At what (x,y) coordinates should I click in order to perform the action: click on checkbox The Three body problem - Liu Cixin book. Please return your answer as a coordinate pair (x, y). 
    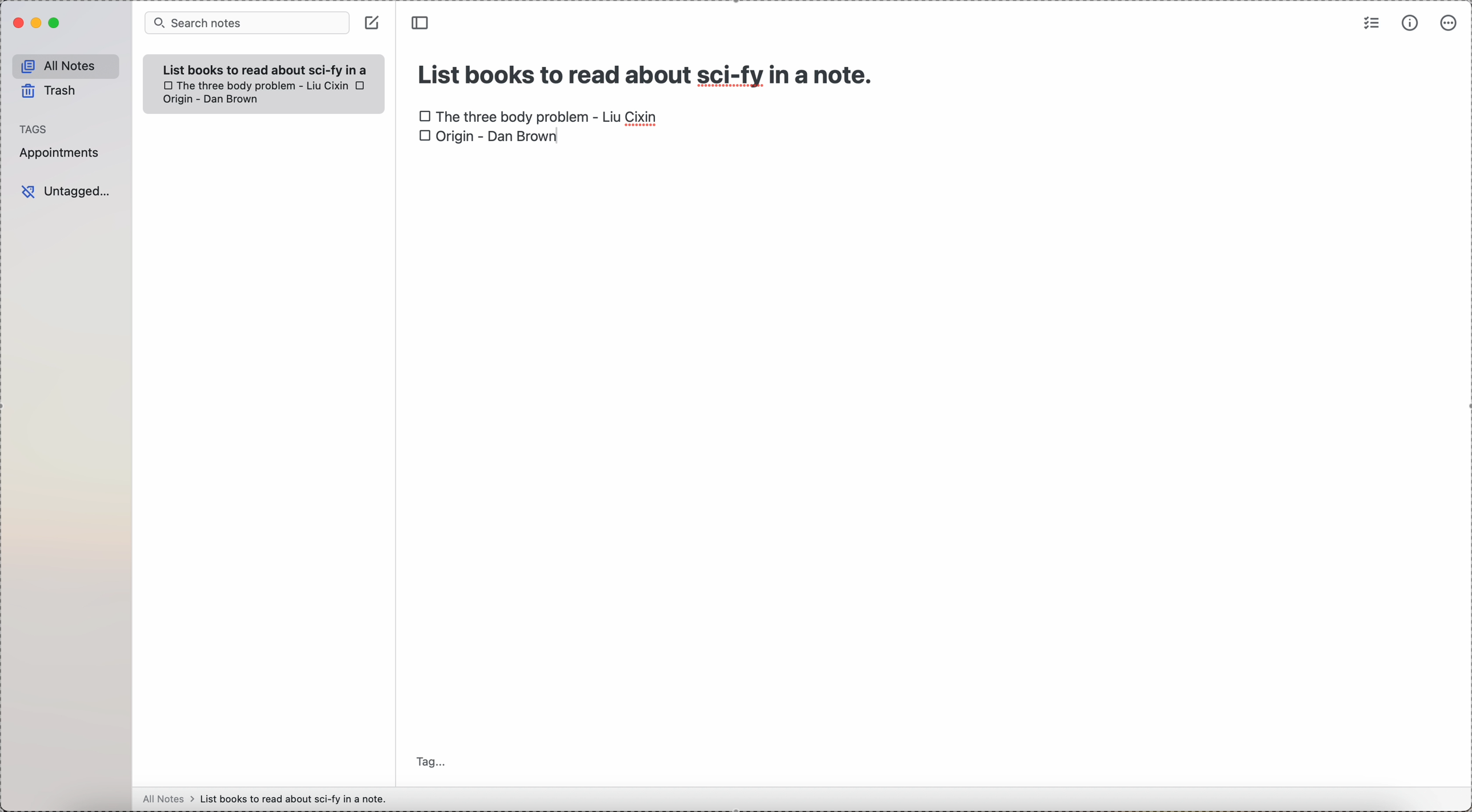
    Looking at the image, I should click on (539, 114).